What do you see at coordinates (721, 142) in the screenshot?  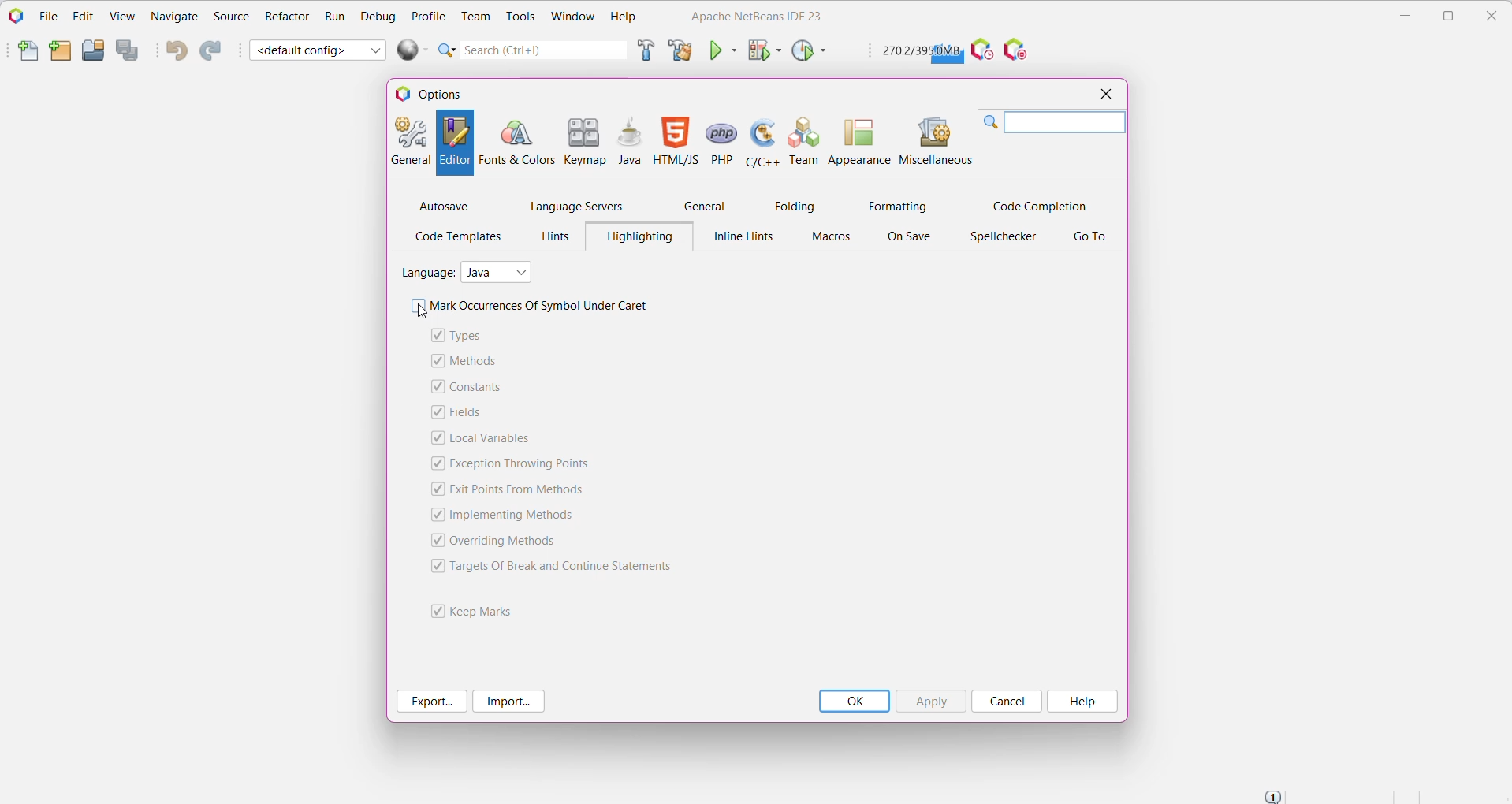 I see `PHP` at bounding box center [721, 142].